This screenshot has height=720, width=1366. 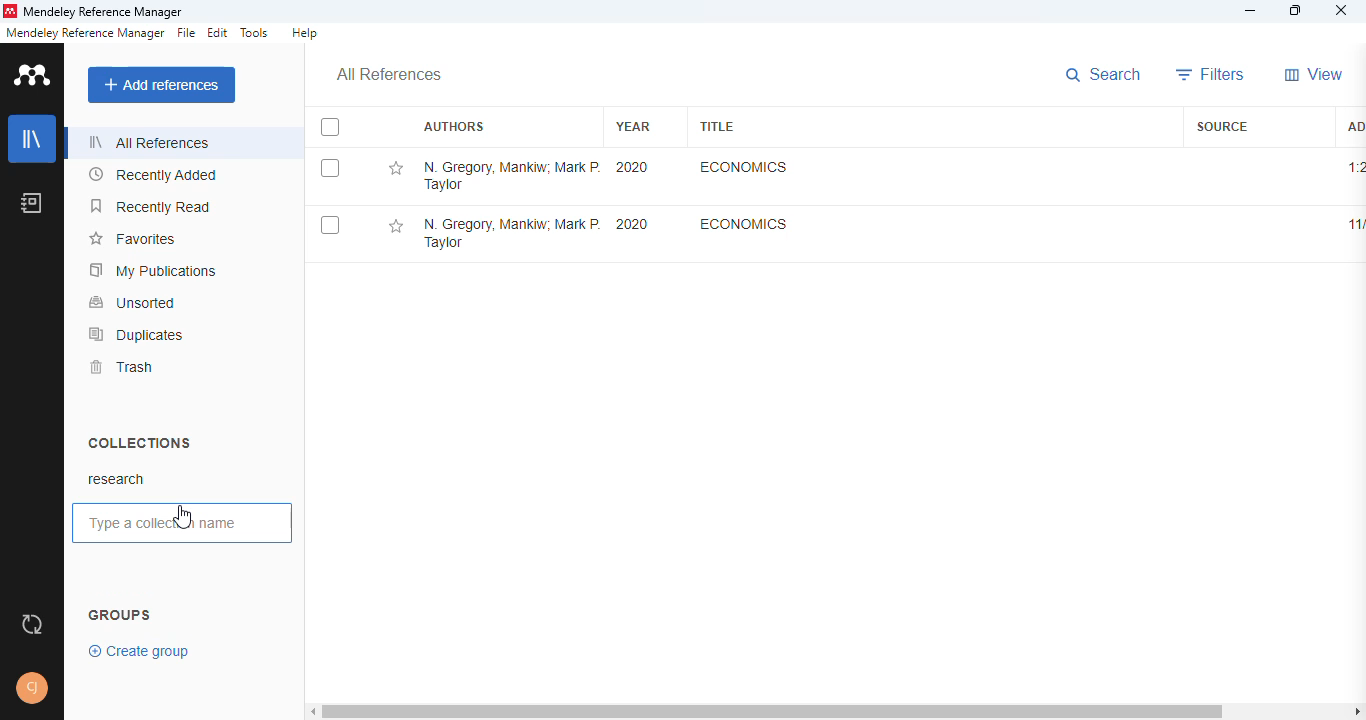 What do you see at coordinates (162, 85) in the screenshot?
I see `add references` at bounding box center [162, 85].